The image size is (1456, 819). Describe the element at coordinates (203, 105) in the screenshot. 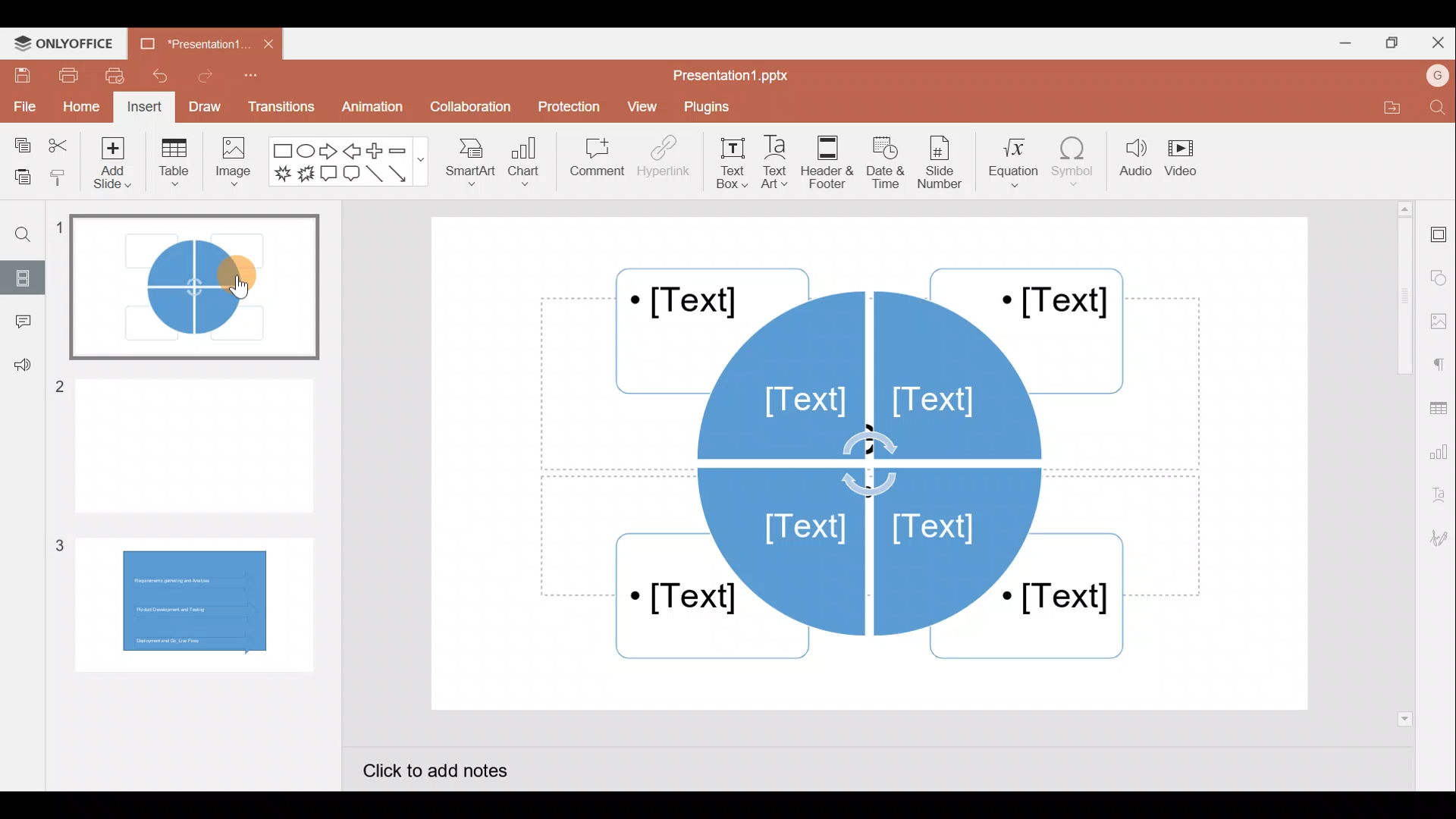

I see `Draw` at that location.